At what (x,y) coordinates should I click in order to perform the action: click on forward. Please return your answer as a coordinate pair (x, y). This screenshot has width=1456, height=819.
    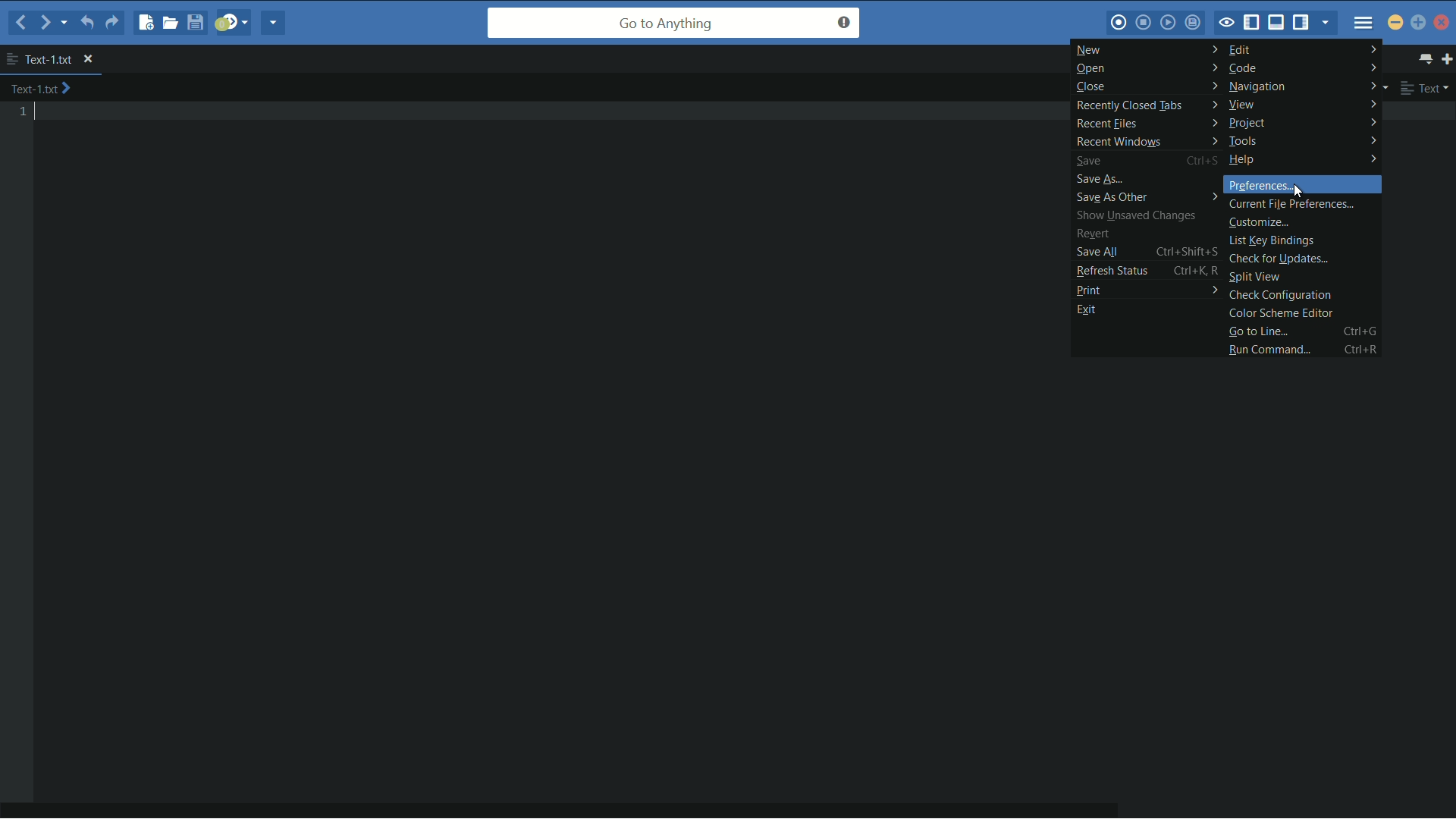
    Looking at the image, I should click on (42, 22).